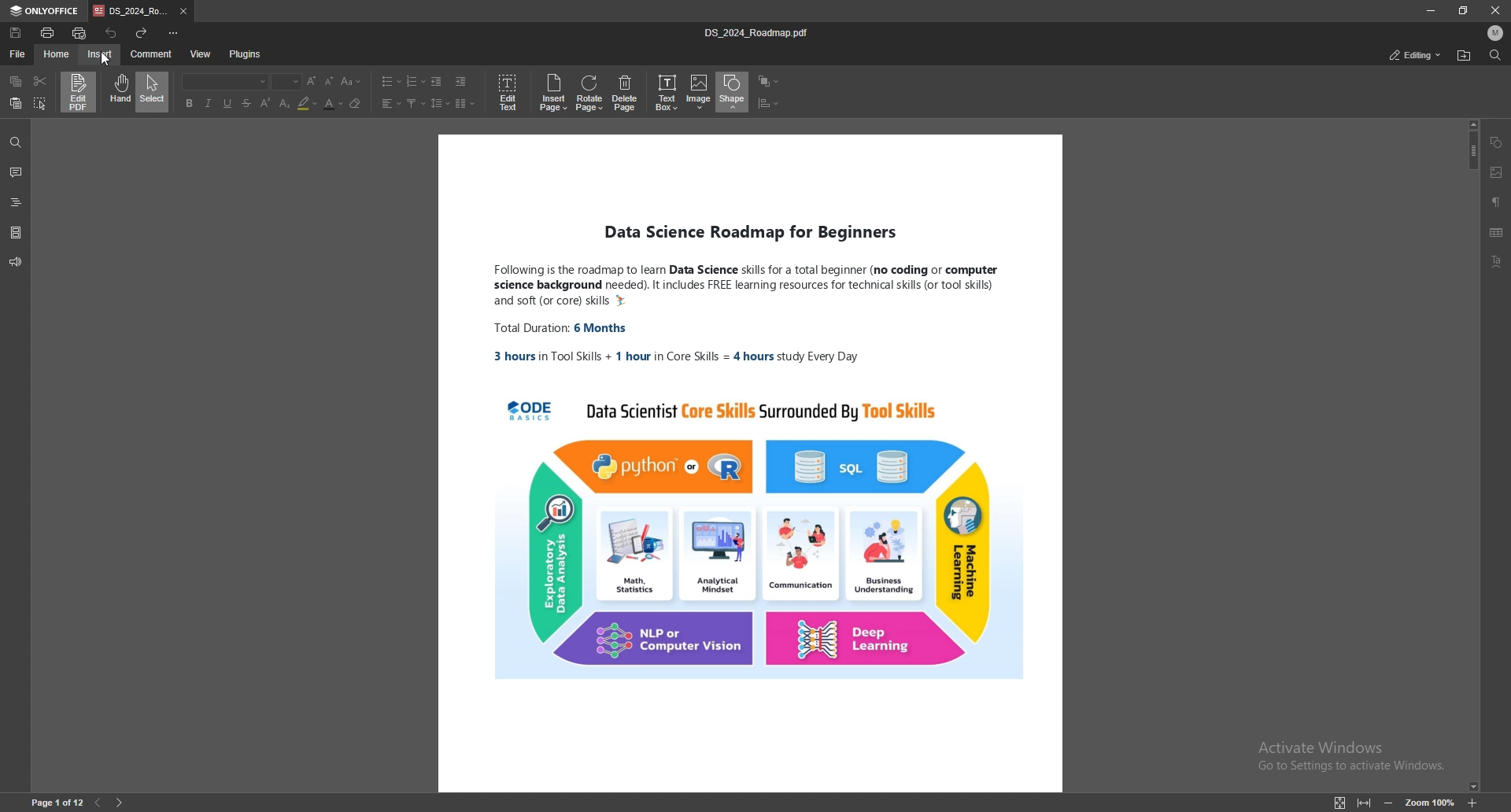 This screenshot has width=1511, height=812. What do you see at coordinates (668, 91) in the screenshot?
I see `text box` at bounding box center [668, 91].